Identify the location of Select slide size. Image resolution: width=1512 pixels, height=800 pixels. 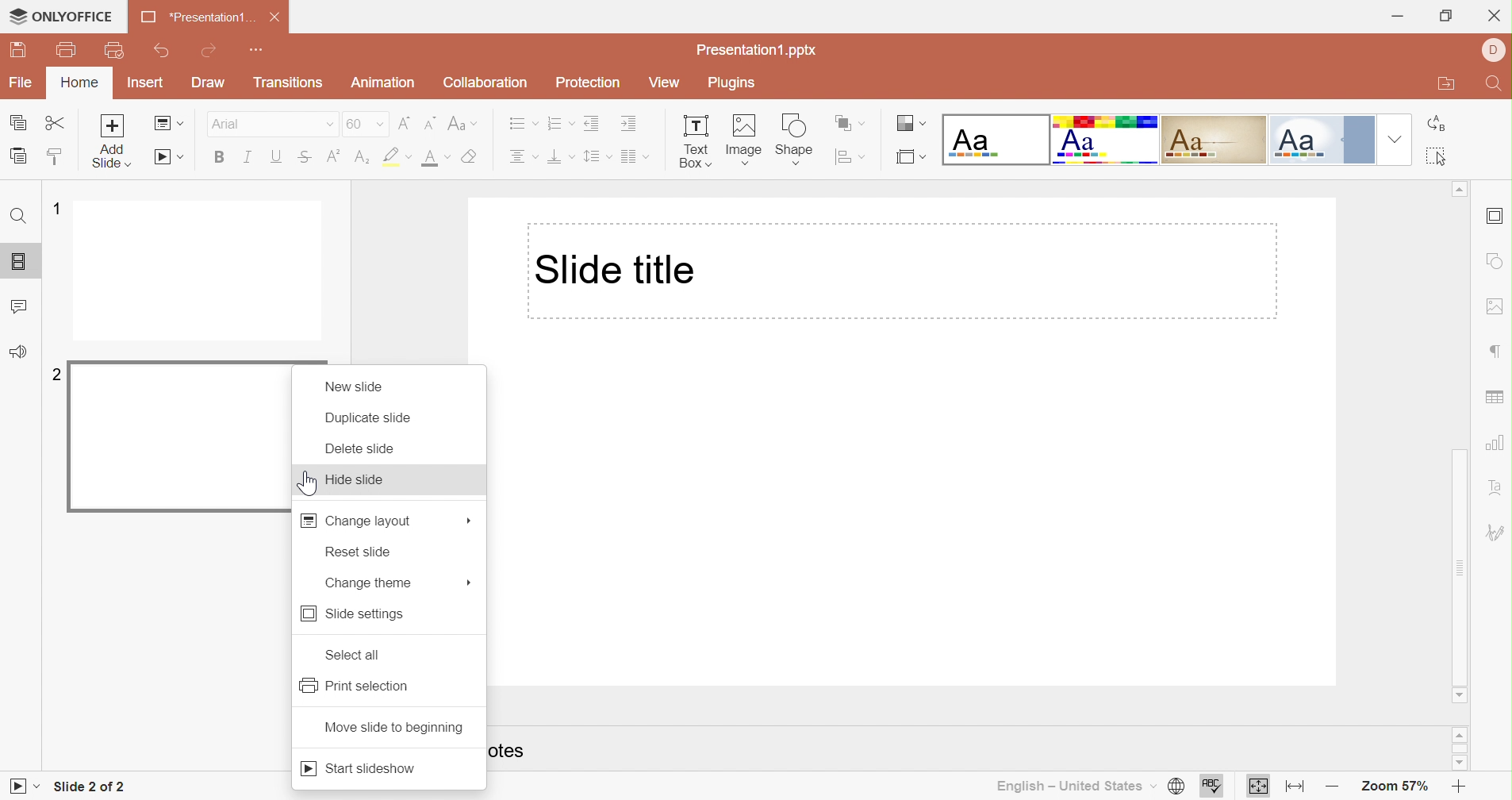
(908, 160).